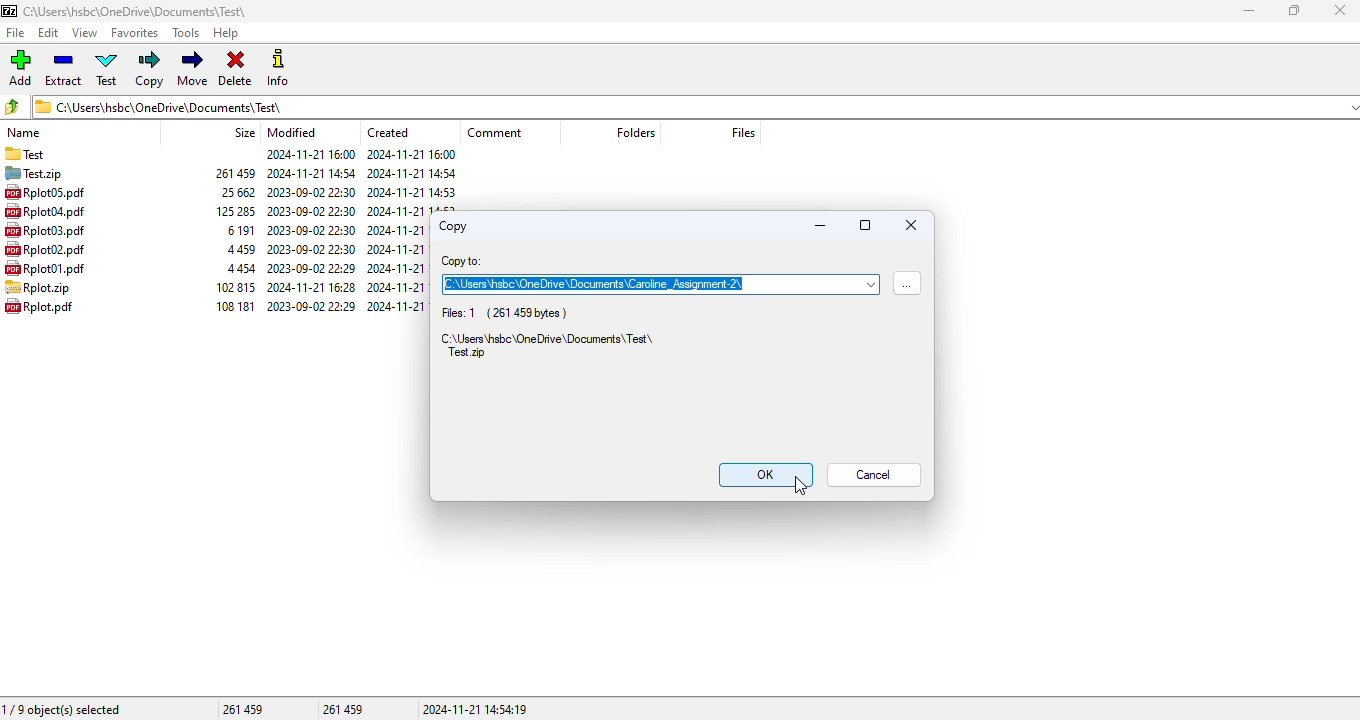 The width and height of the screenshot is (1360, 720). Describe the element at coordinates (343, 709) in the screenshot. I see `261 459` at that location.